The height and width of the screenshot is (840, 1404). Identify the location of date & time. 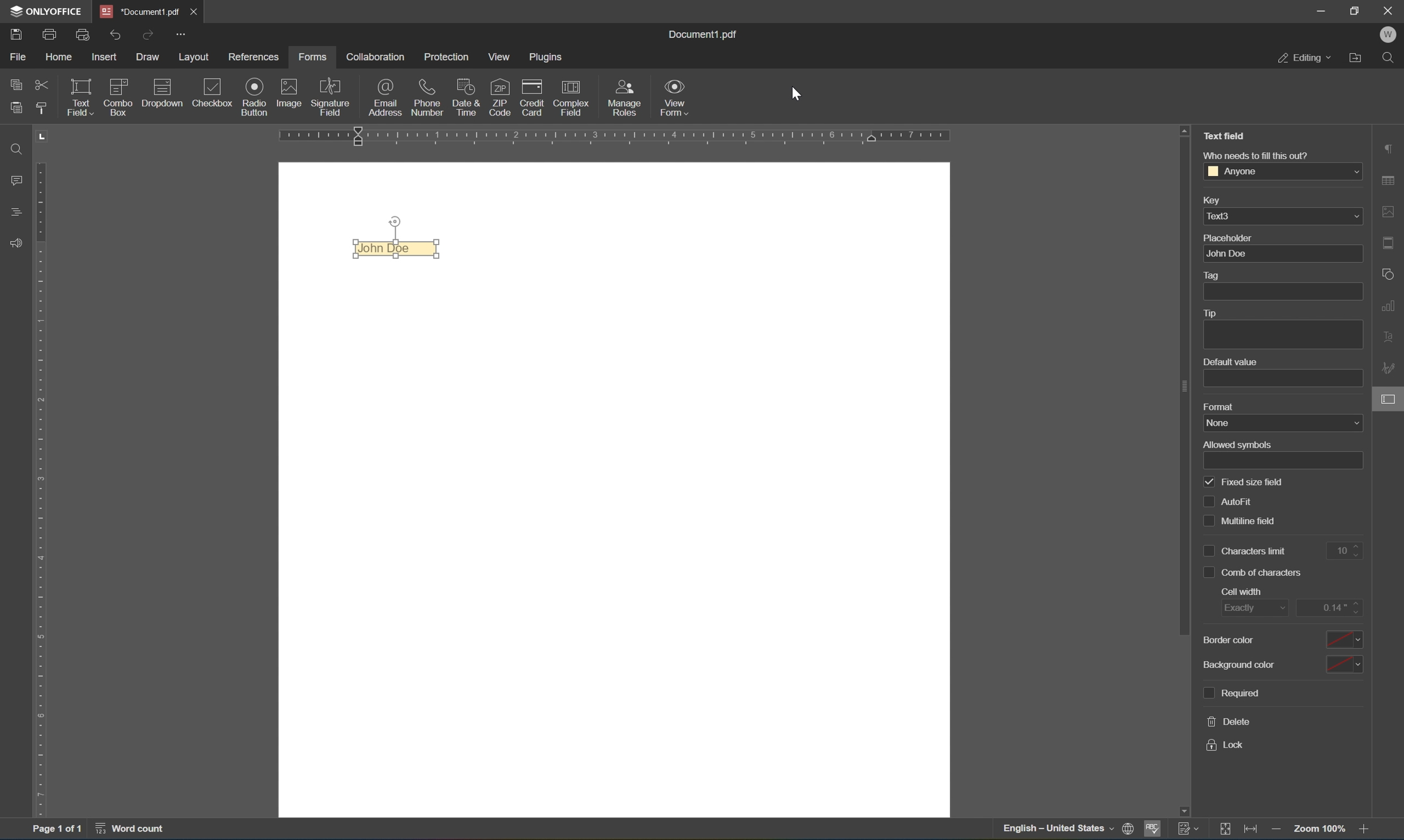
(464, 96).